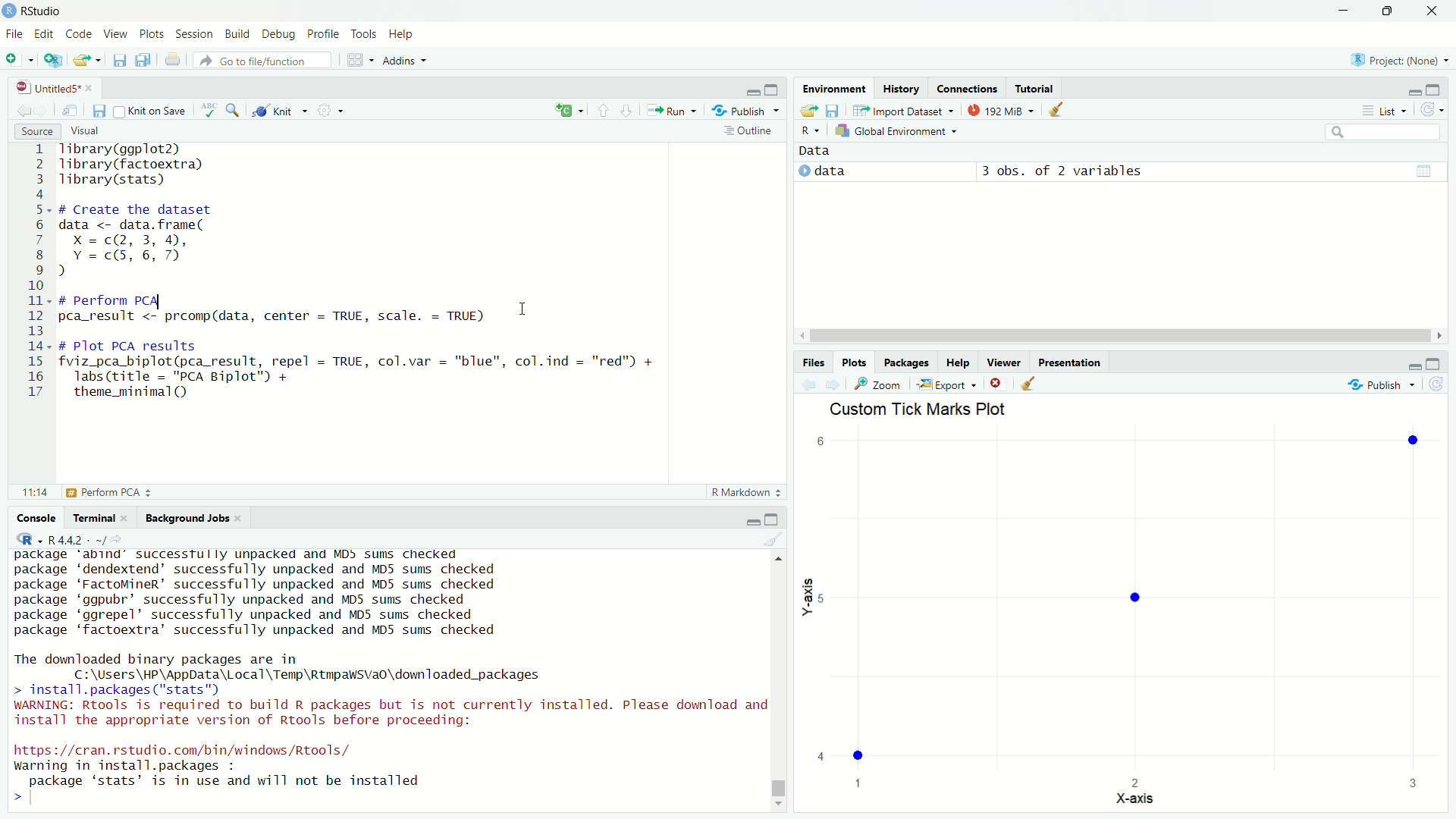  What do you see at coordinates (193, 518) in the screenshot?
I see `background jobs` at bounding box center [193, 518].